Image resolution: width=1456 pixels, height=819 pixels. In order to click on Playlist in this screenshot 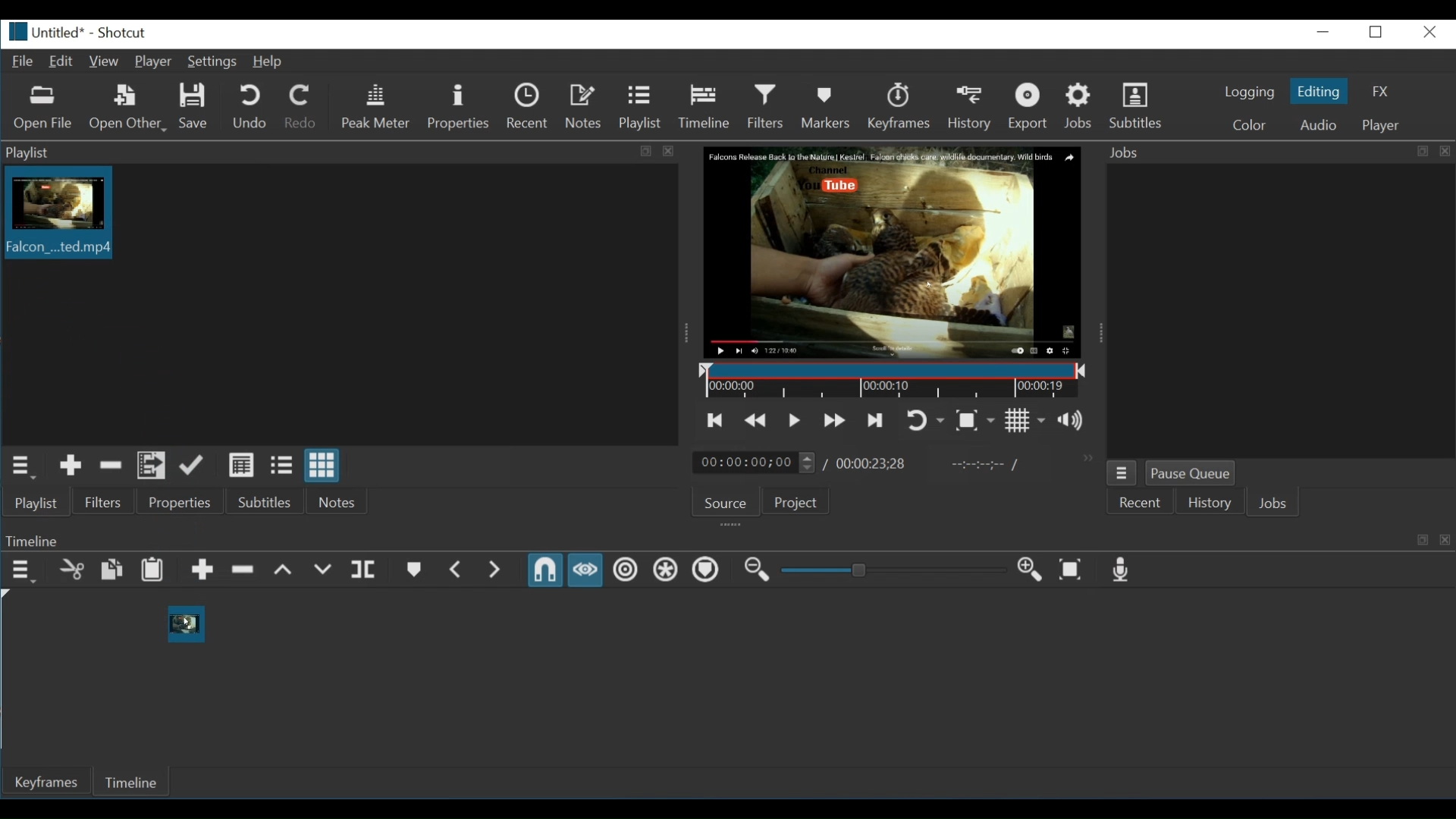, I will do `click(639, 106)`.